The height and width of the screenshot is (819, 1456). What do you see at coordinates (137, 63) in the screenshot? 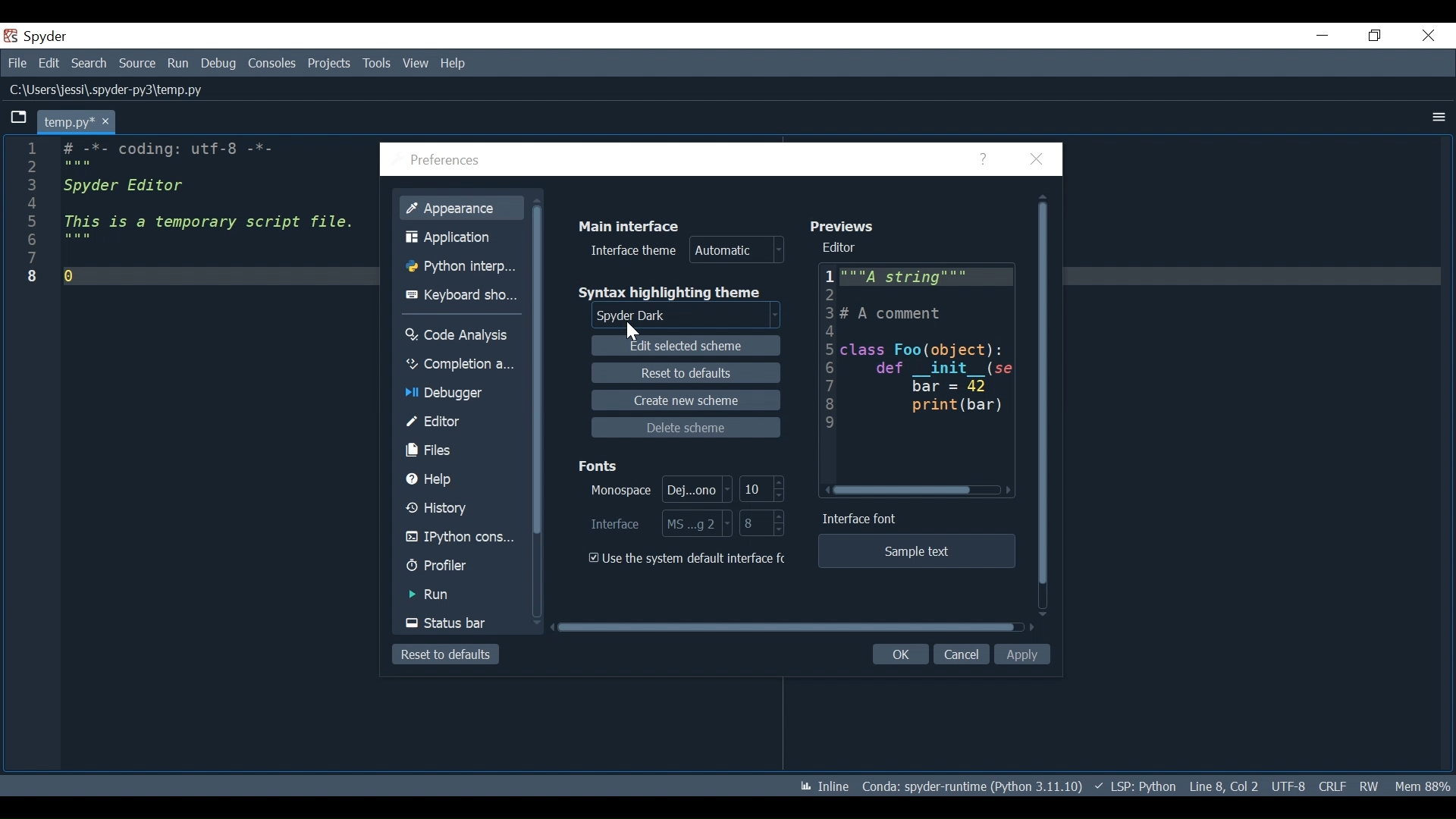
I see `Source` at bounding box center [137, 63].